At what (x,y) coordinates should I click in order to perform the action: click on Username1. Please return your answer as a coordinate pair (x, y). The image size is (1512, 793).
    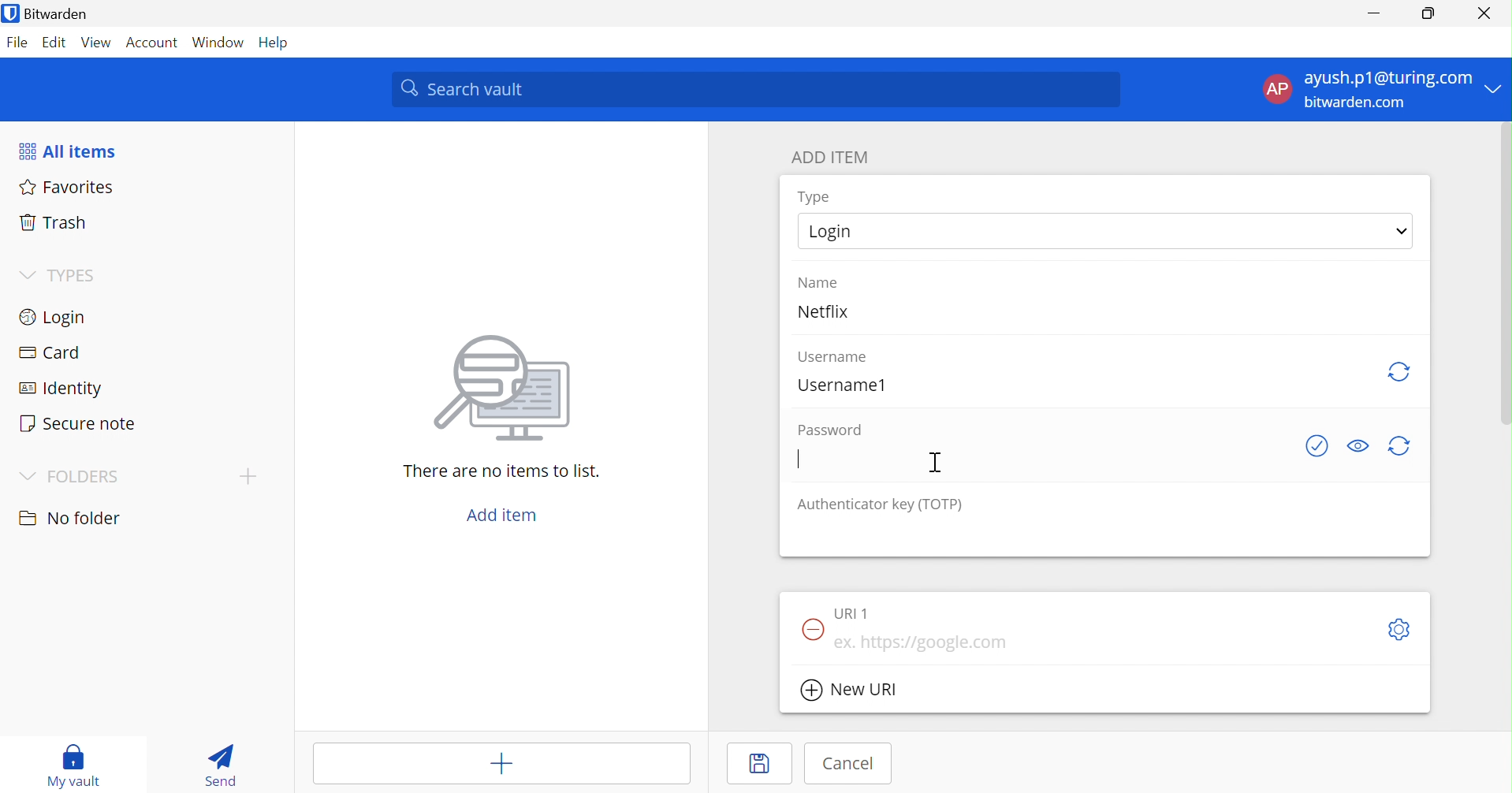
    Looking at the image, I should click on (842, 386).